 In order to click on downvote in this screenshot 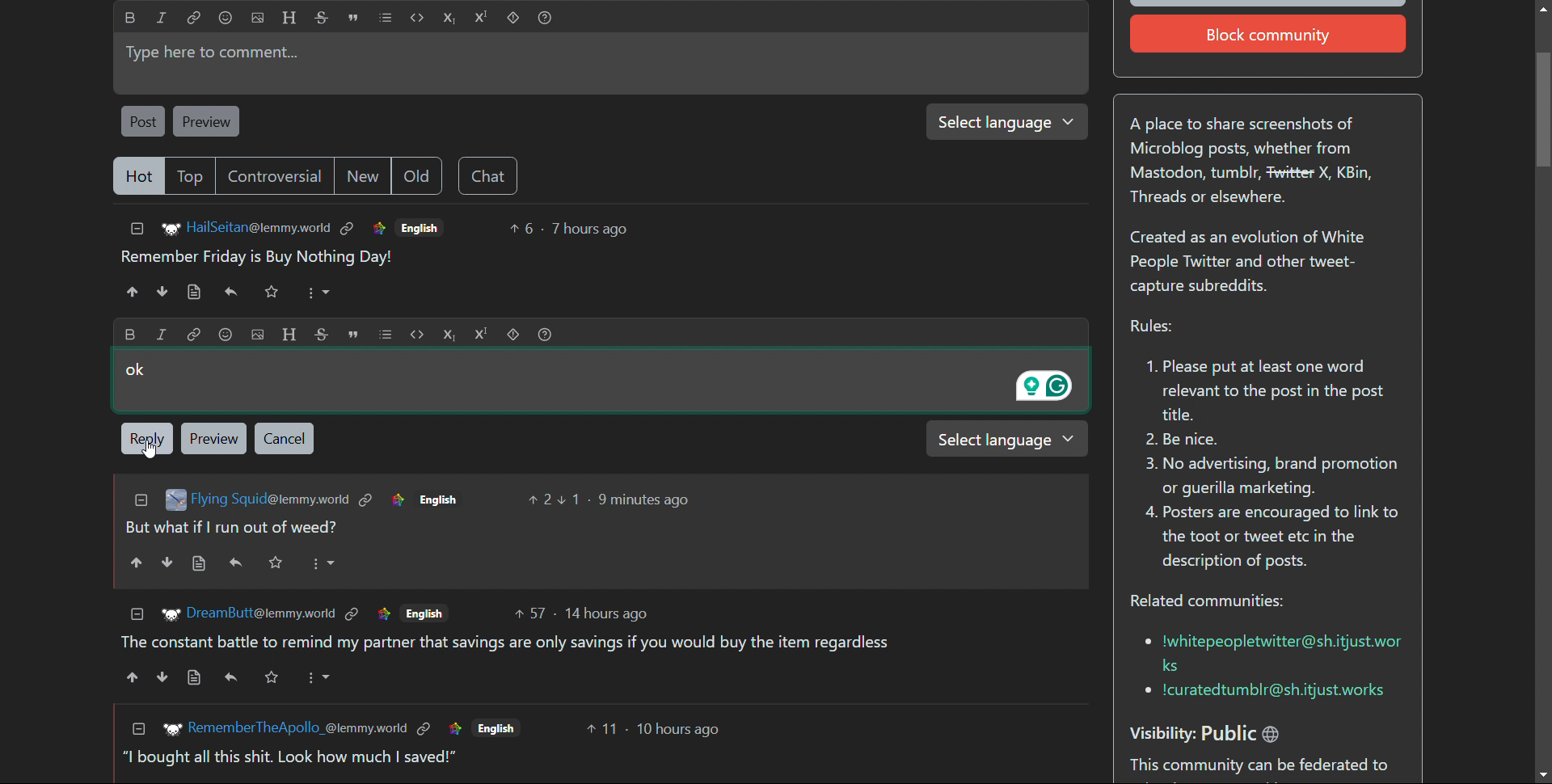, I will do `click(155, 679)`.